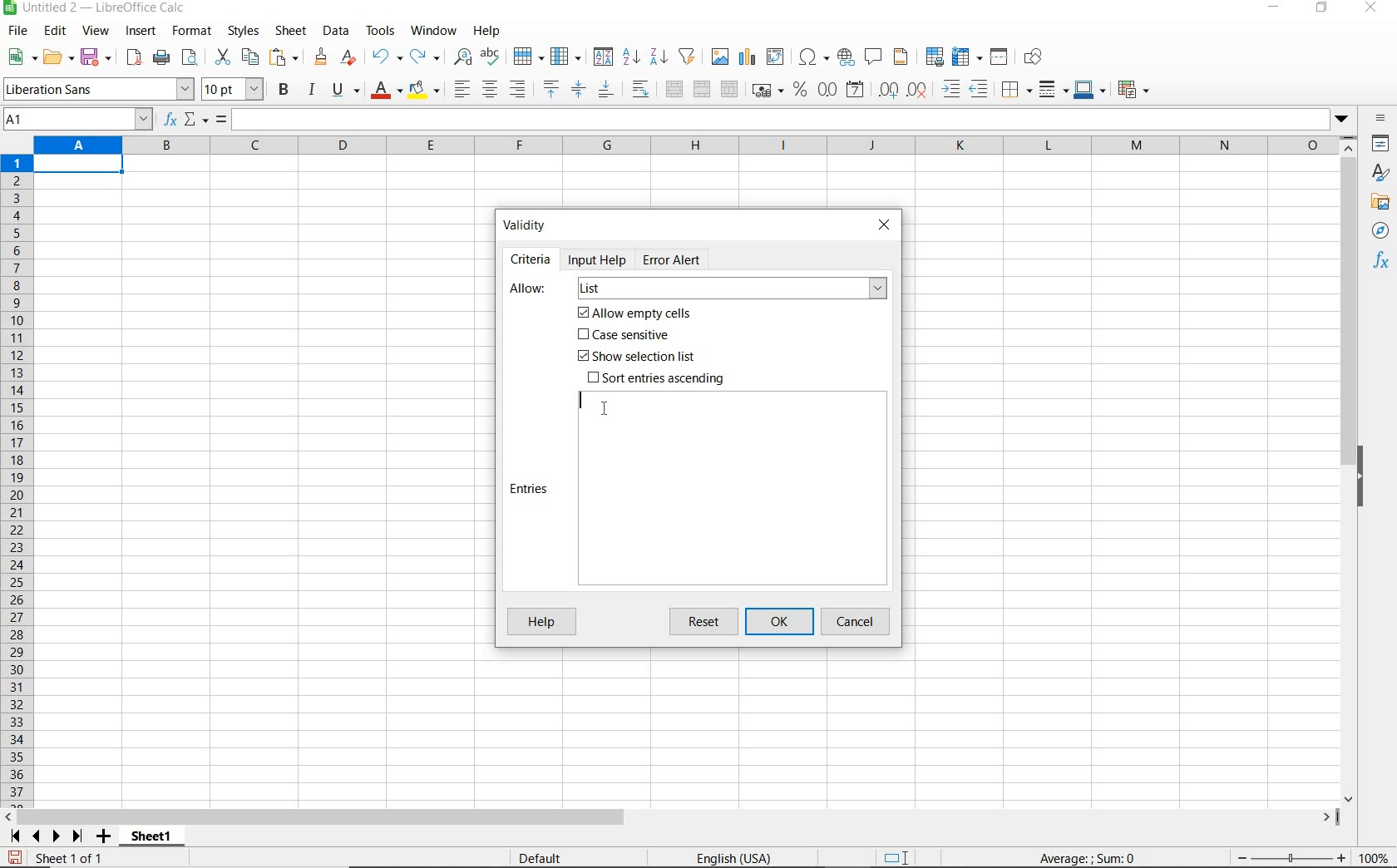  What do you see at coordinates (1089, 89) in the screenshot?
I see `border color` at bounding box center [1089, 89].